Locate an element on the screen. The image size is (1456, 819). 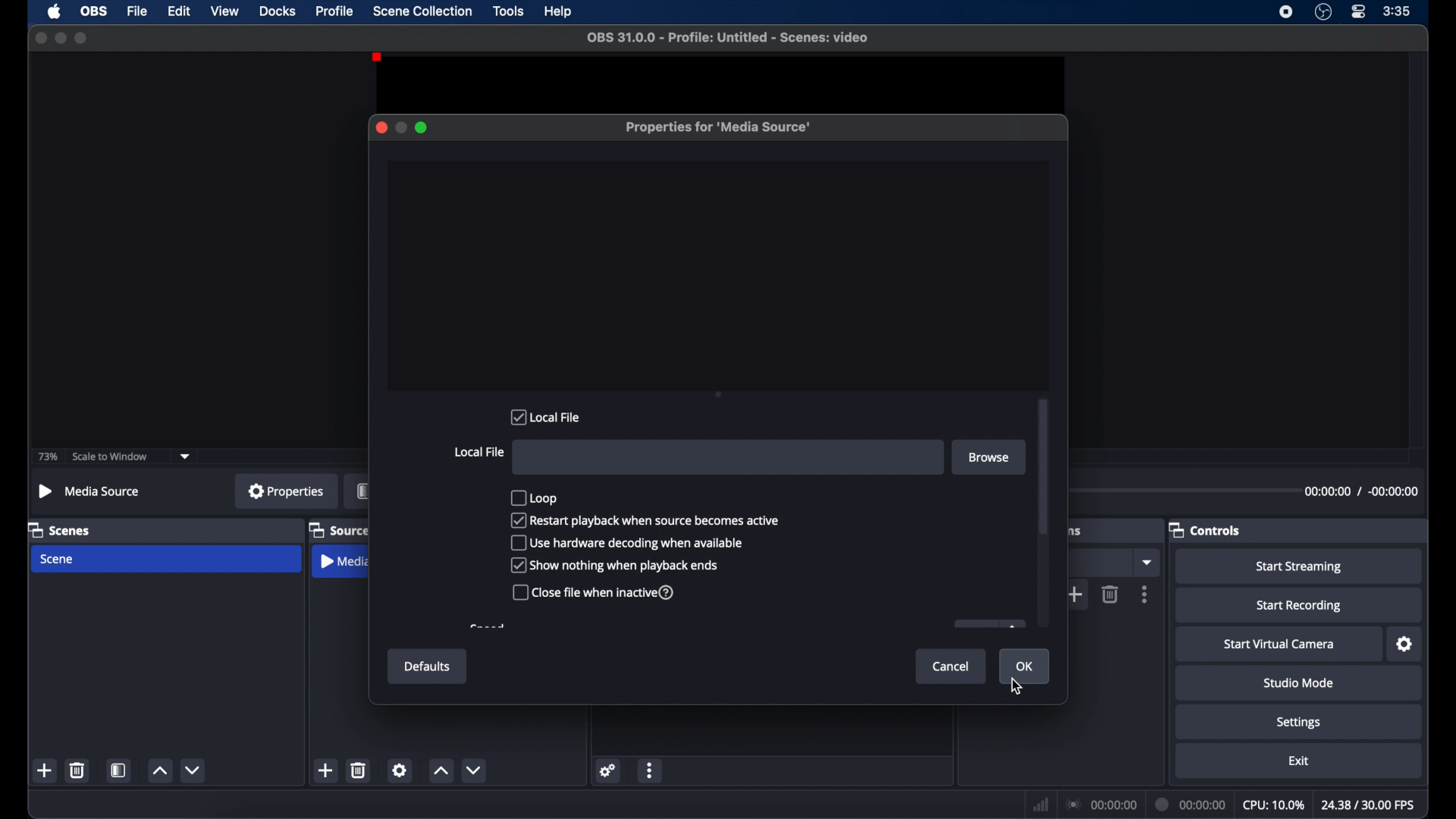
start recording is located at coordinates (1300, 607).